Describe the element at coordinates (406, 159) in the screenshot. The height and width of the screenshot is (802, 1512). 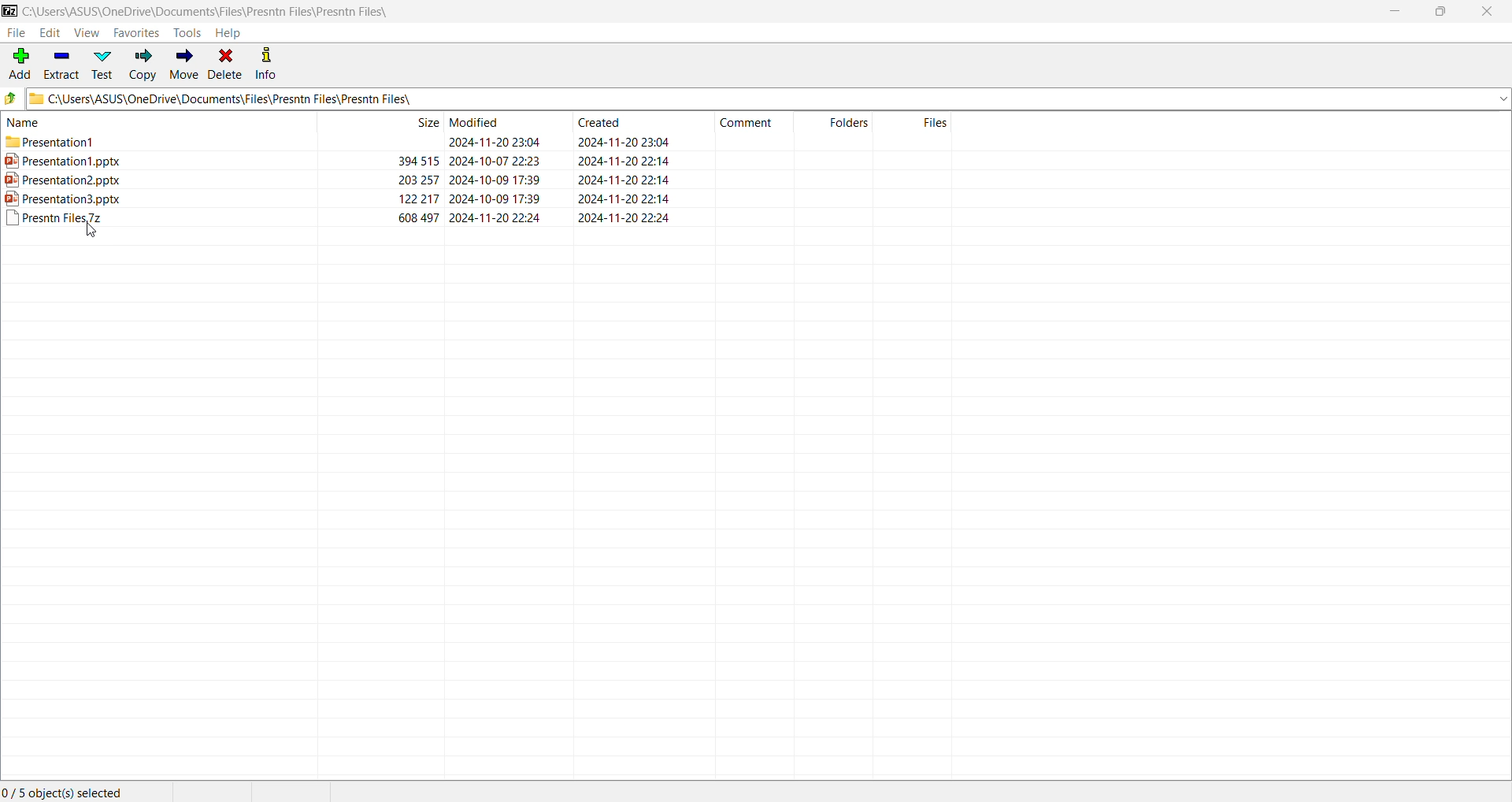
I see `394 515` at that location.